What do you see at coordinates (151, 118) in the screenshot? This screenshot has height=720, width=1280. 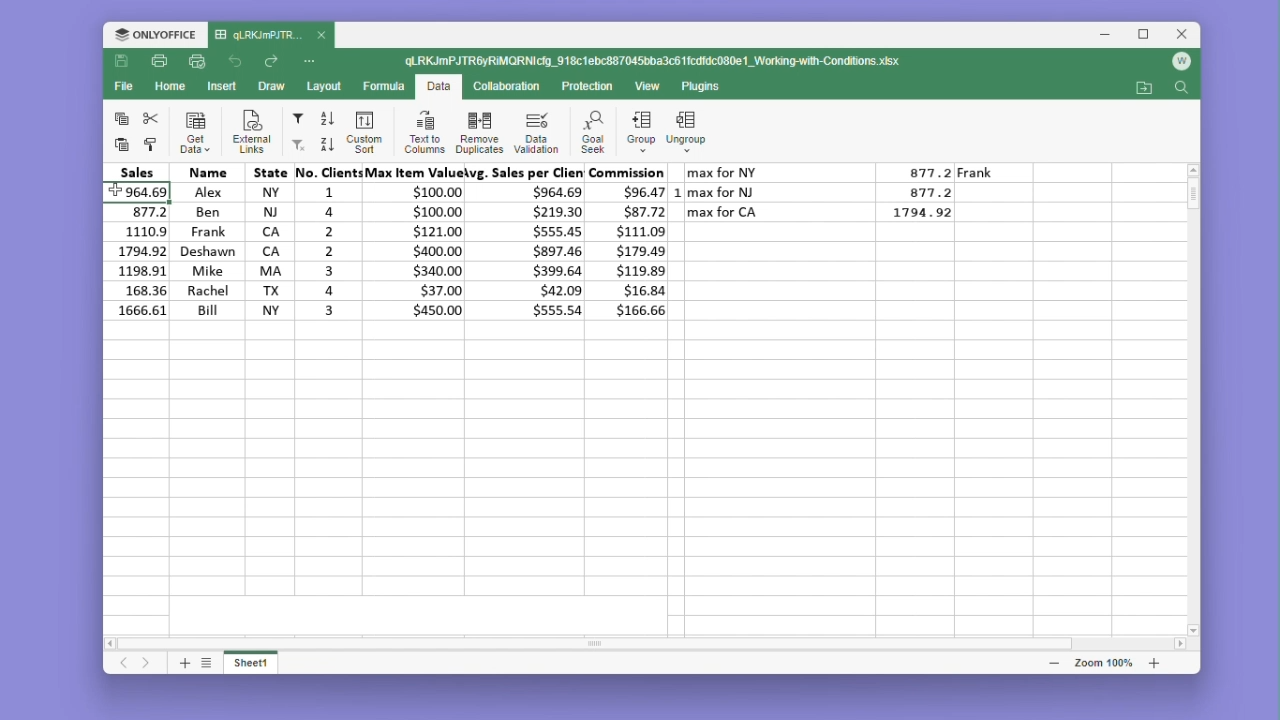 I see `cut` at bounding box center [151, 118].